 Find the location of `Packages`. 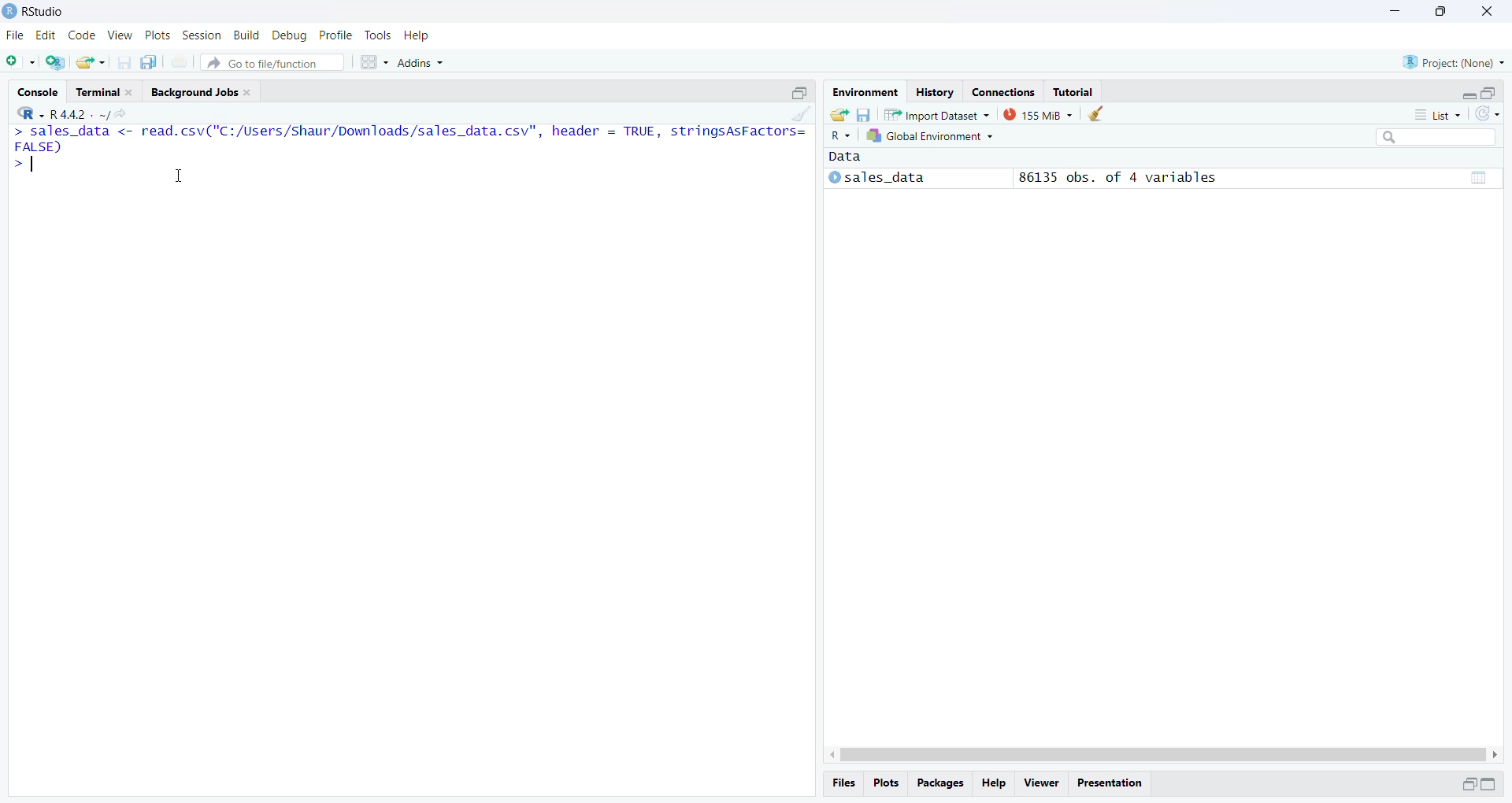

Packages is located at coordinates (942, 785).